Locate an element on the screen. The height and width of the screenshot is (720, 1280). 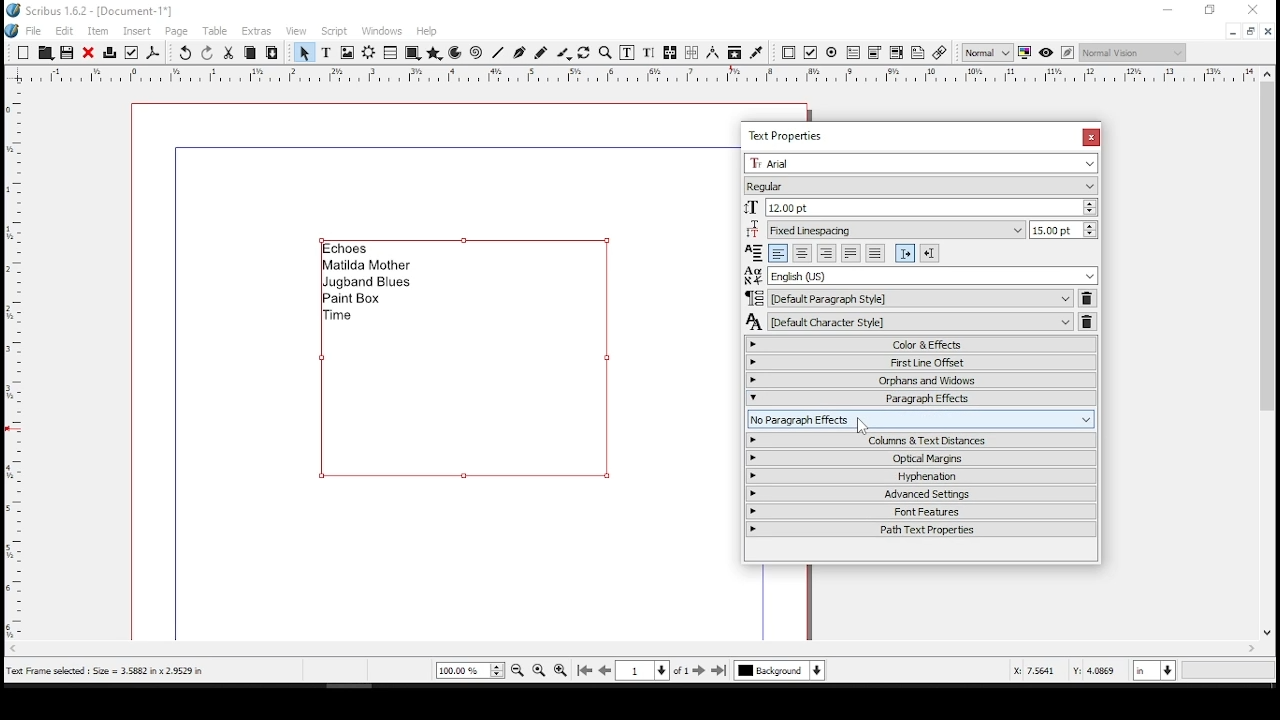
language is located at coordinates (921, 275).